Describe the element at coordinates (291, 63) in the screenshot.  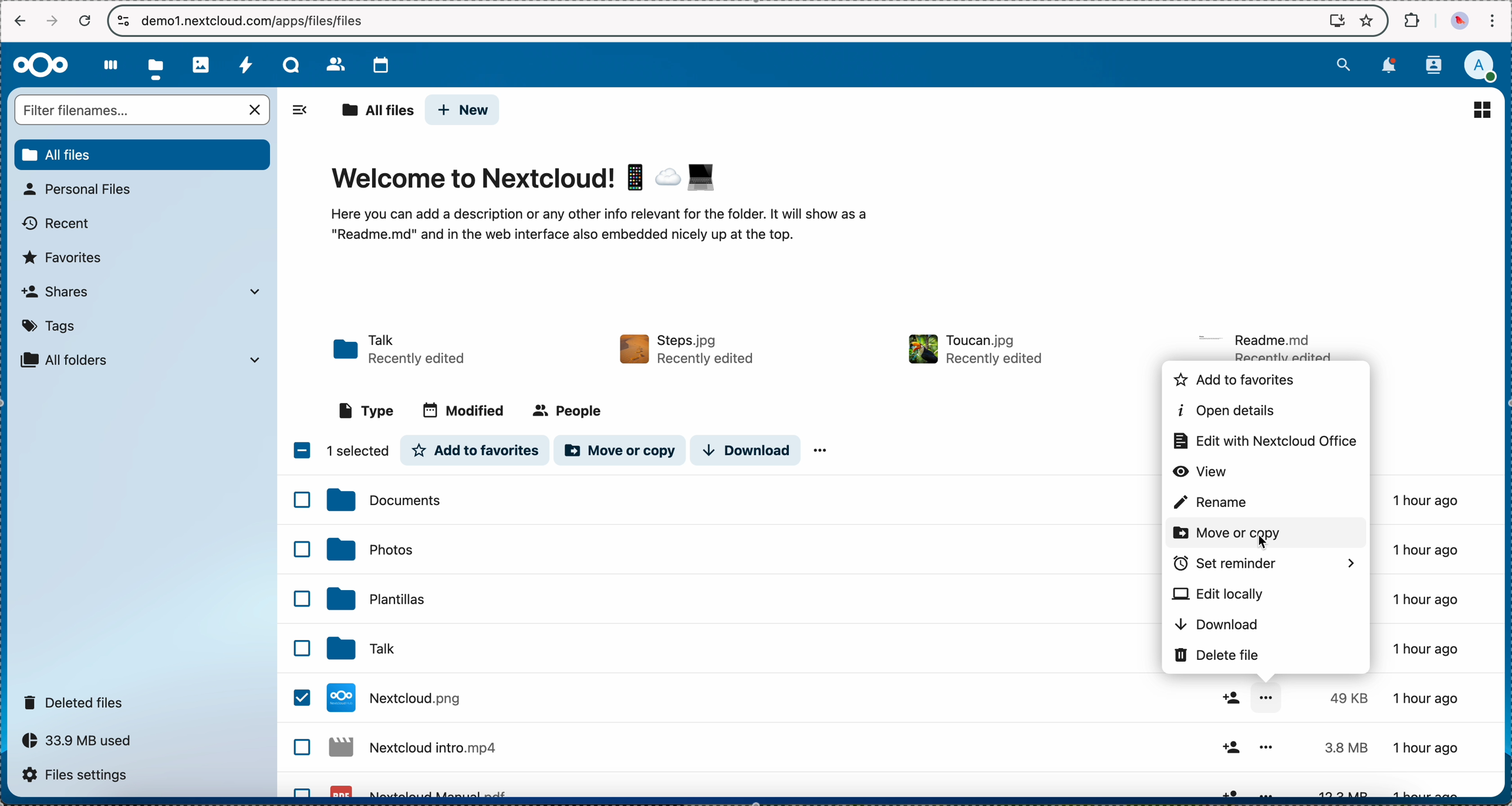
I see `Talk` at that location.